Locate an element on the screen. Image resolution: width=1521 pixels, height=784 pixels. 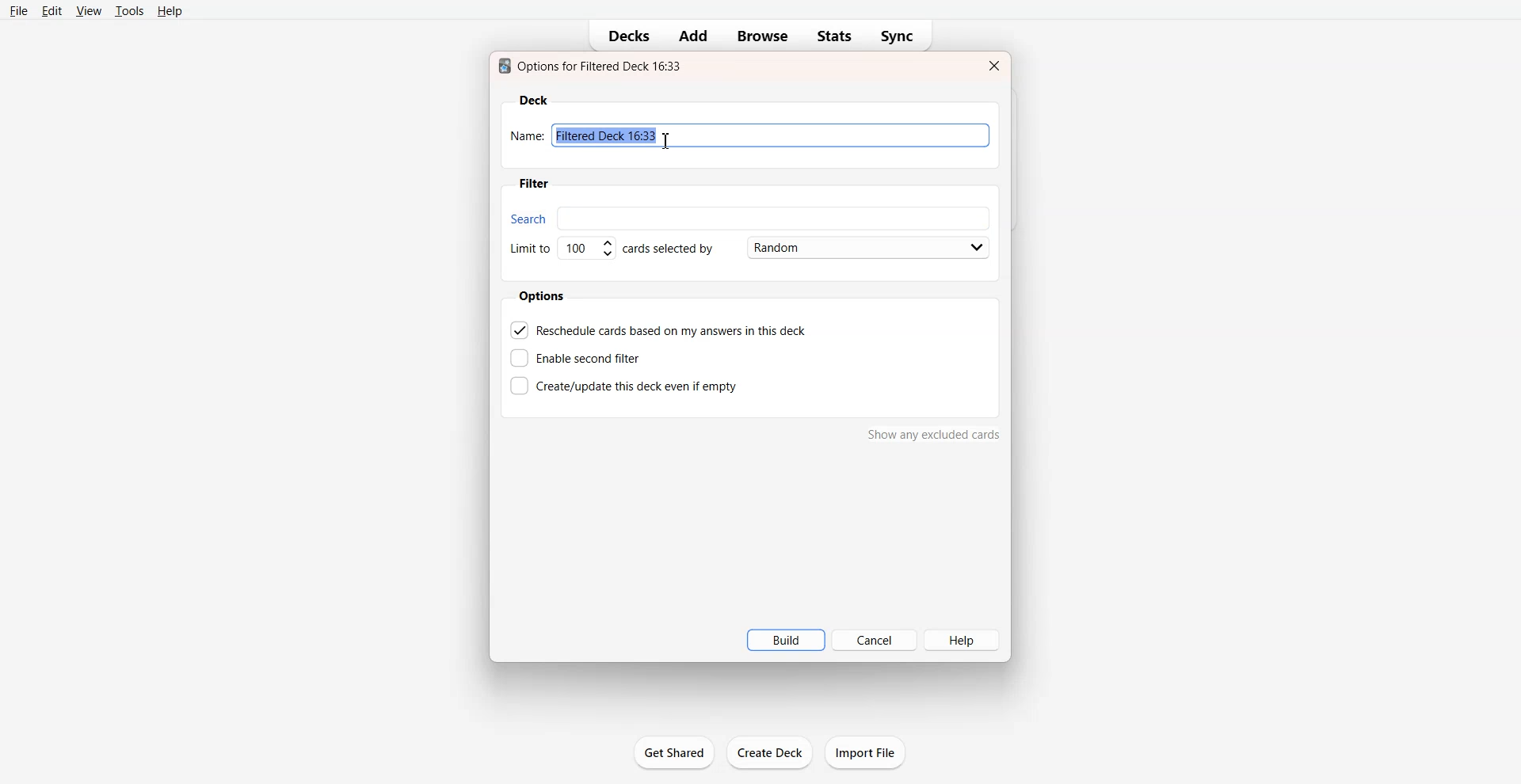
Help is located at coordinates (171, 11).